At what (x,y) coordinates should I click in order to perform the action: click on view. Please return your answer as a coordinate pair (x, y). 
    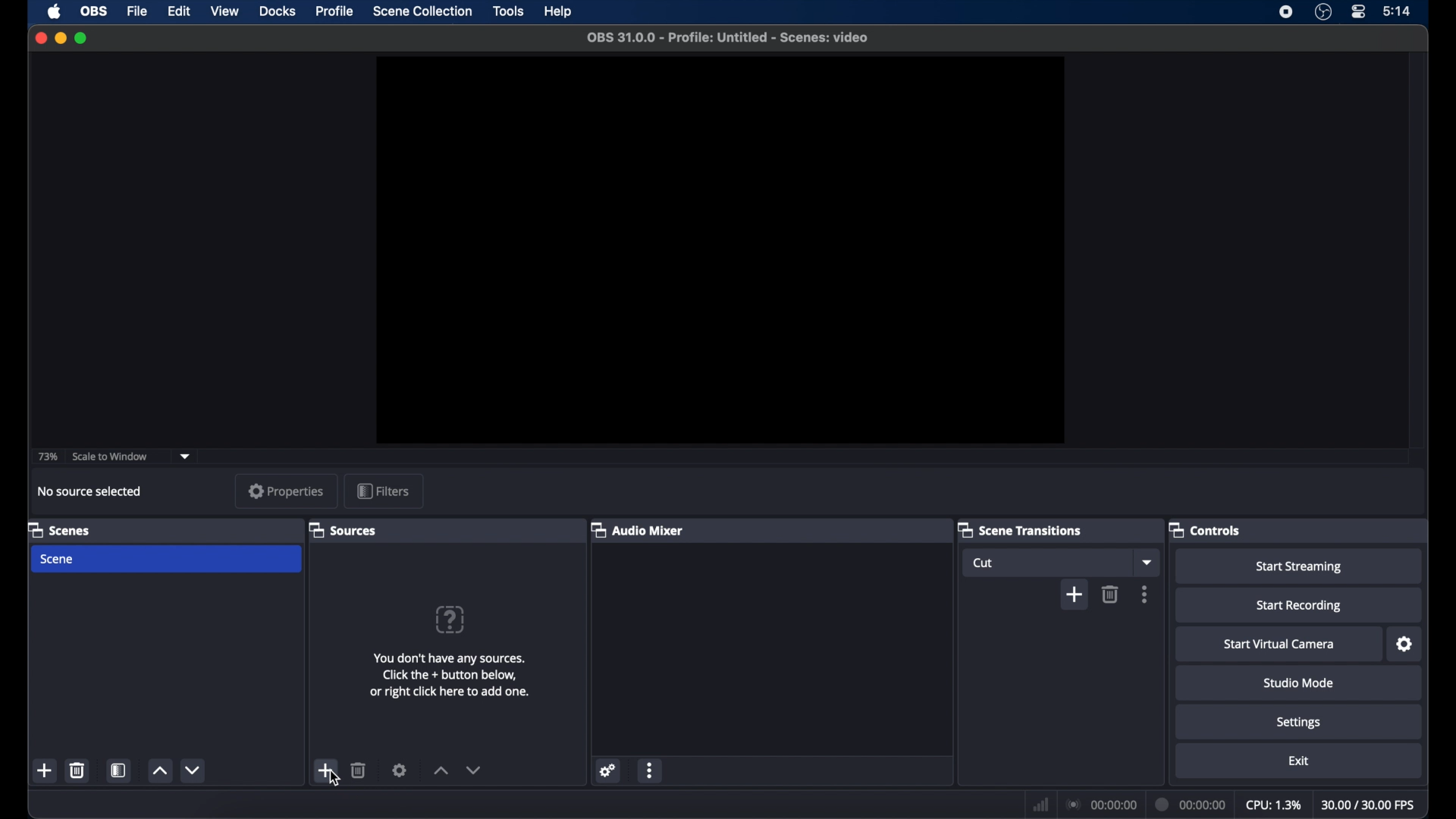
    Looking at the image, I should click on (224, 11).